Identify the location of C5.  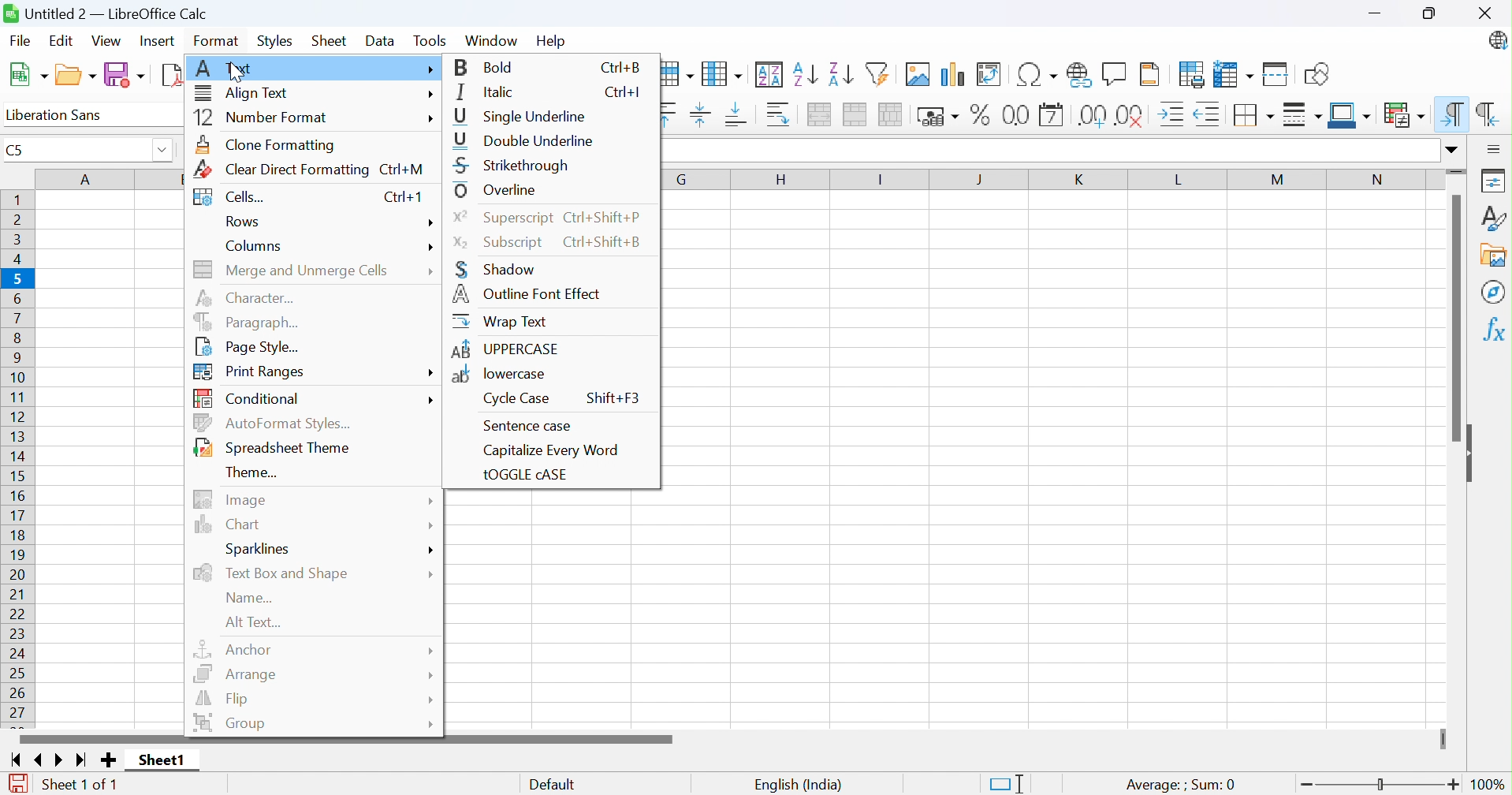
(73, 150).